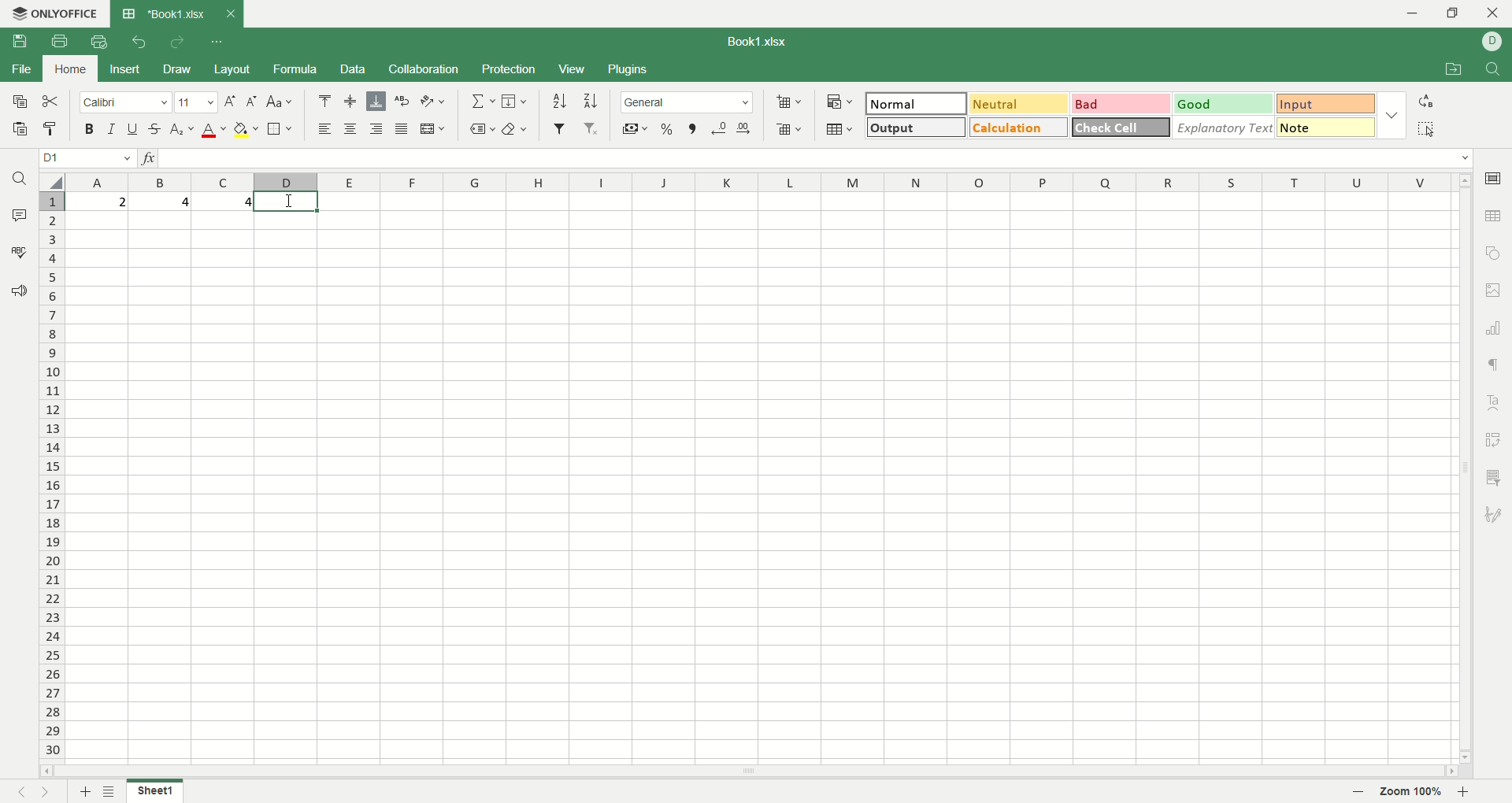 This screenshot has height=803, width=1512. What do you see at coordinates (98, 42) in the screenshot?
I see `quick PRINT` at bounding box center [98, 42].